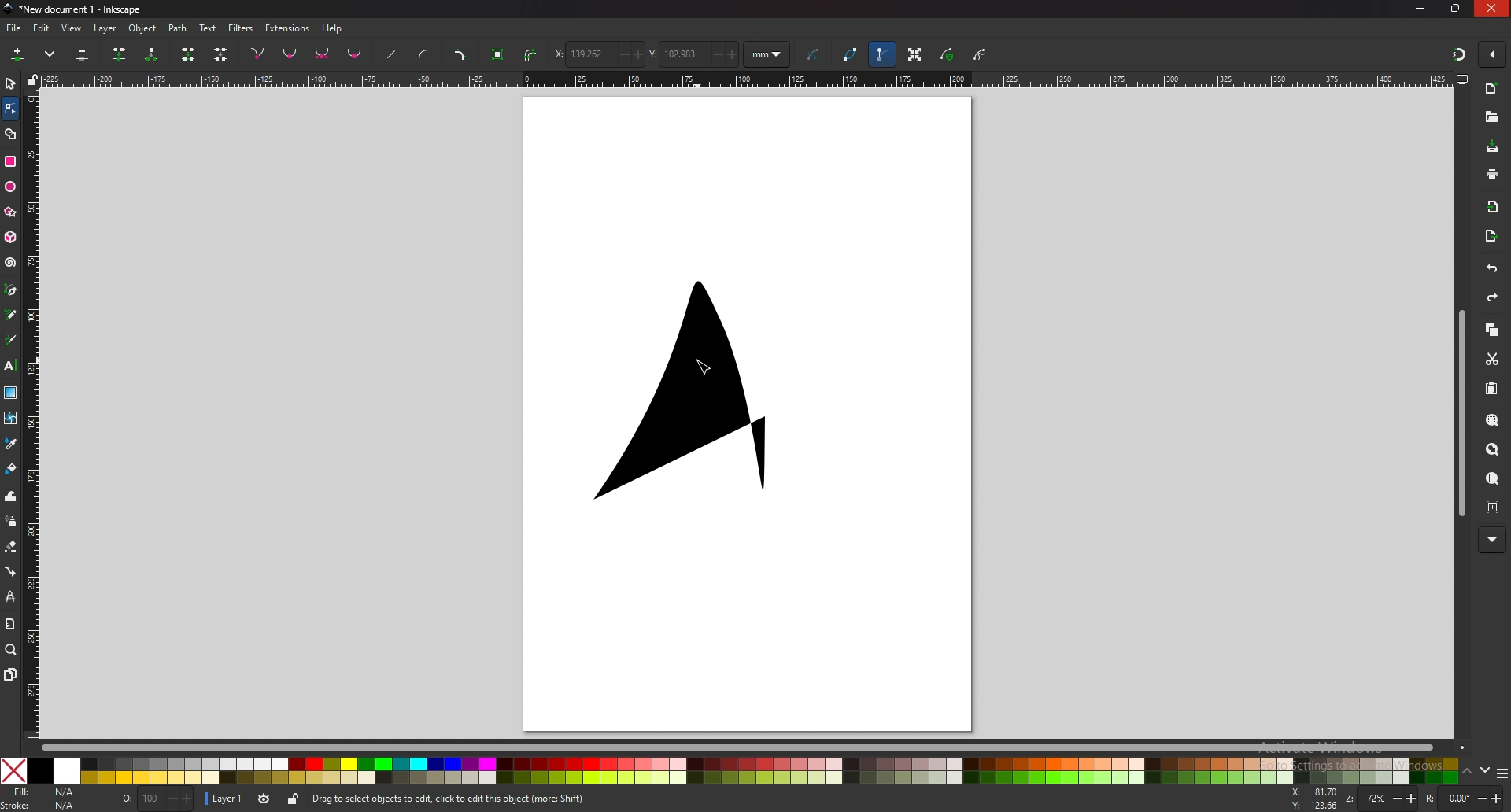 The image size is (1511, 812). I want to click on layer, so click(227, 799).